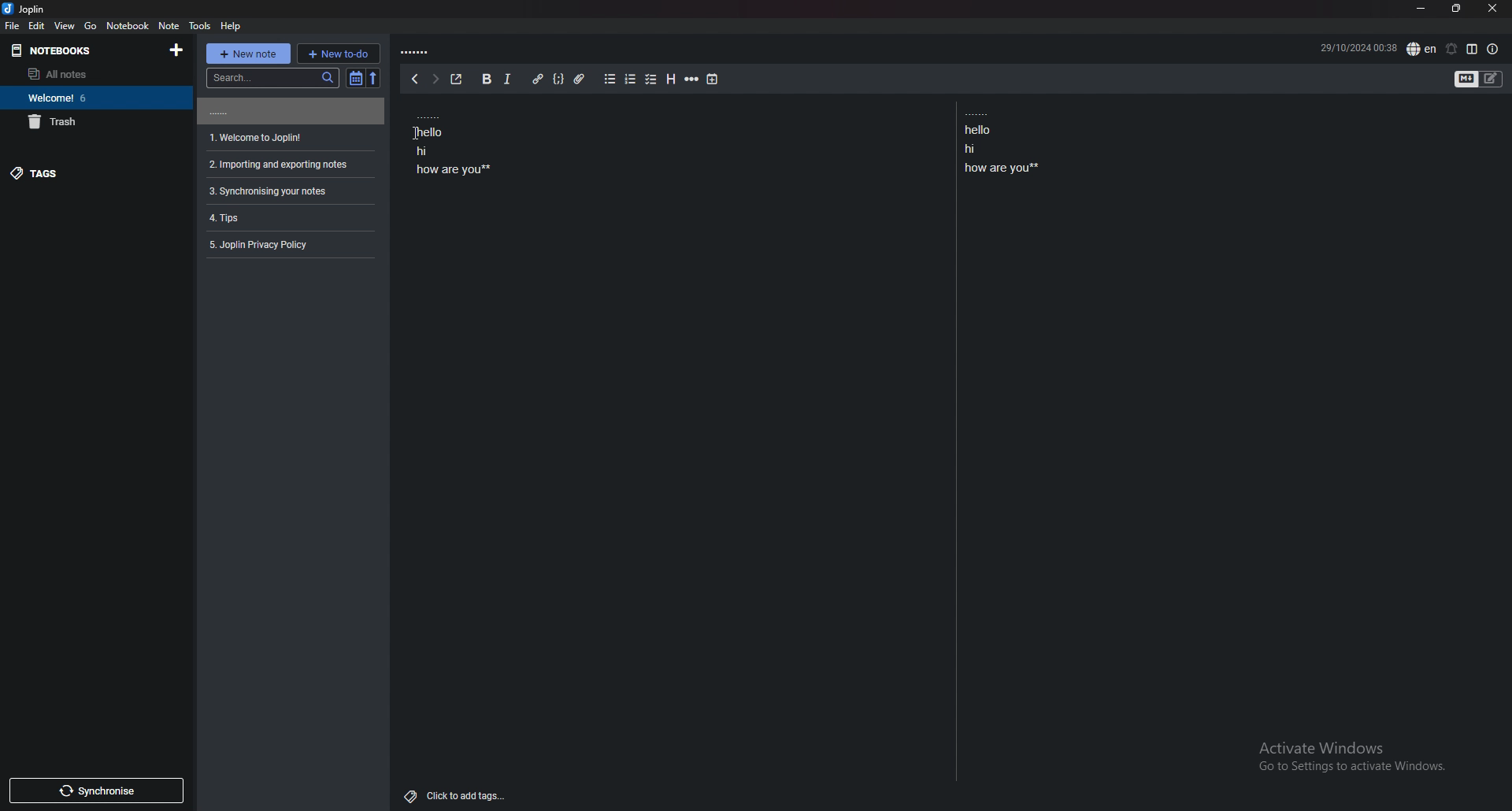 This screenshot has width=1512, height=811. Describe the element at coordinates (288, 191) in the screenshot. I see `note` at that location.